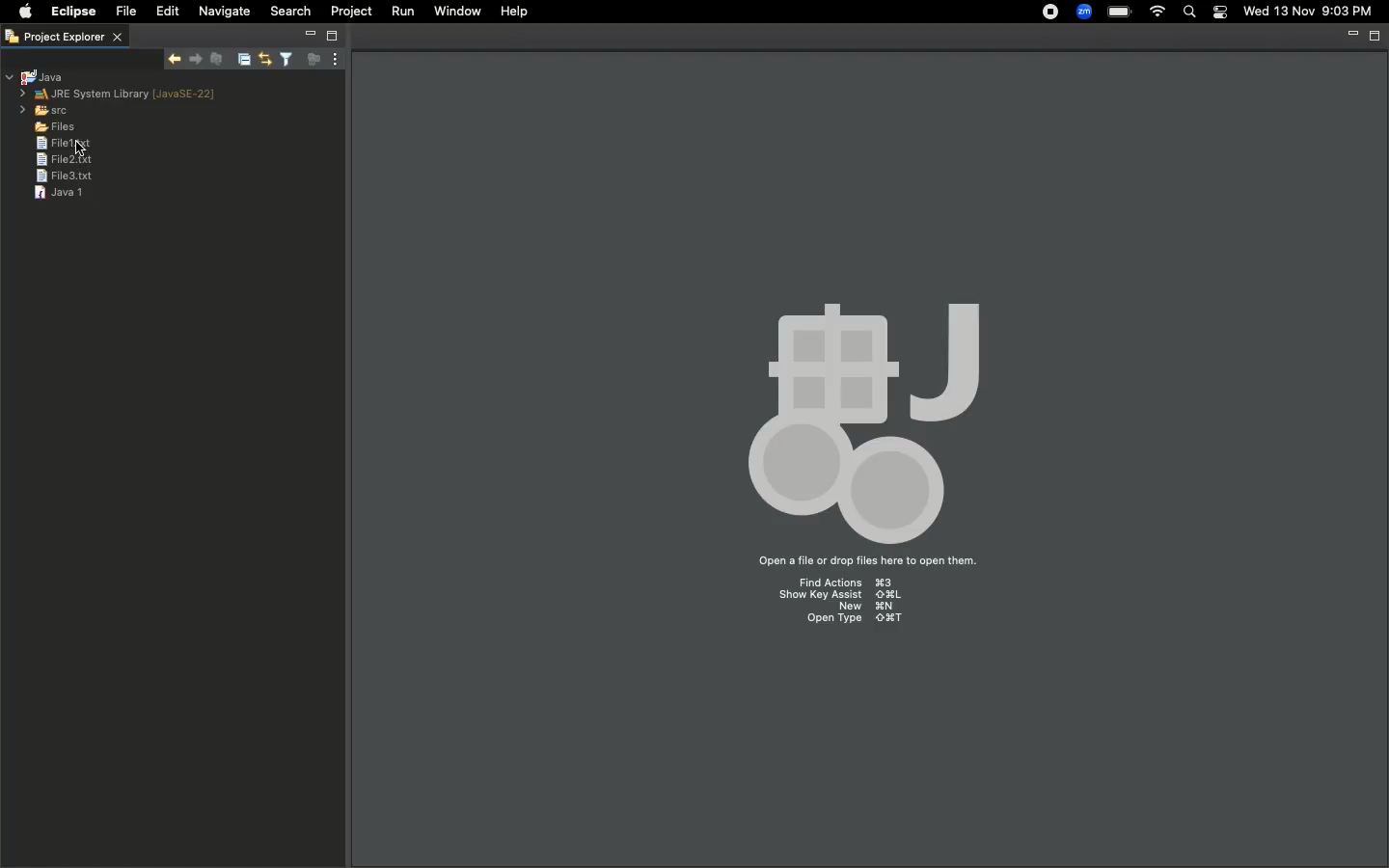 Image resolution: width=1389 pixels, height=868 pixels. Describe the element at coordinates (333, 60) in the screenshot. I see `View menu` at that location.